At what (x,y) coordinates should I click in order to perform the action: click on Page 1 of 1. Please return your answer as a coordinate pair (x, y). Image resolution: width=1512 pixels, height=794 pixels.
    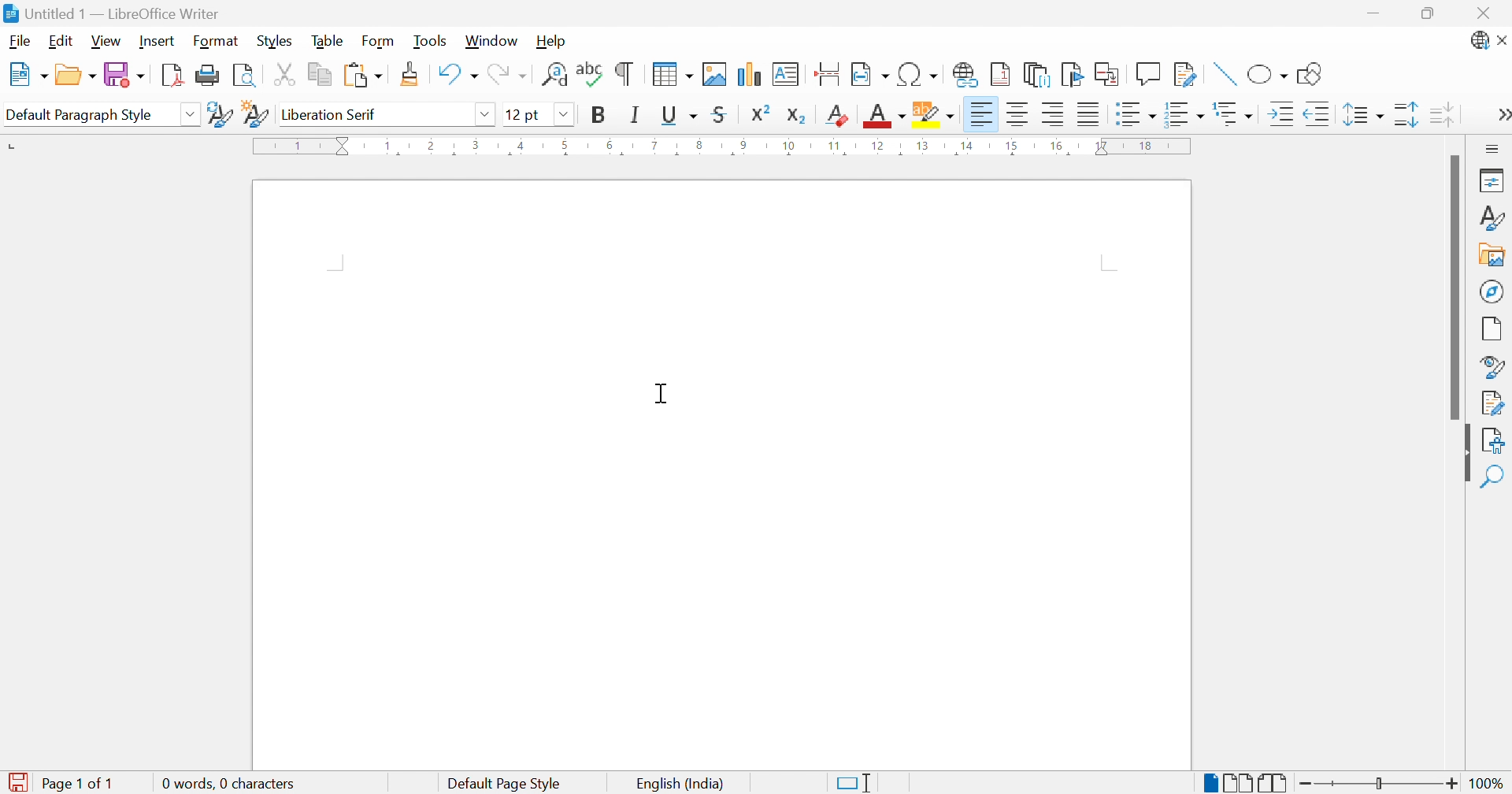
    Looking at the image, I should click on (61, 784).